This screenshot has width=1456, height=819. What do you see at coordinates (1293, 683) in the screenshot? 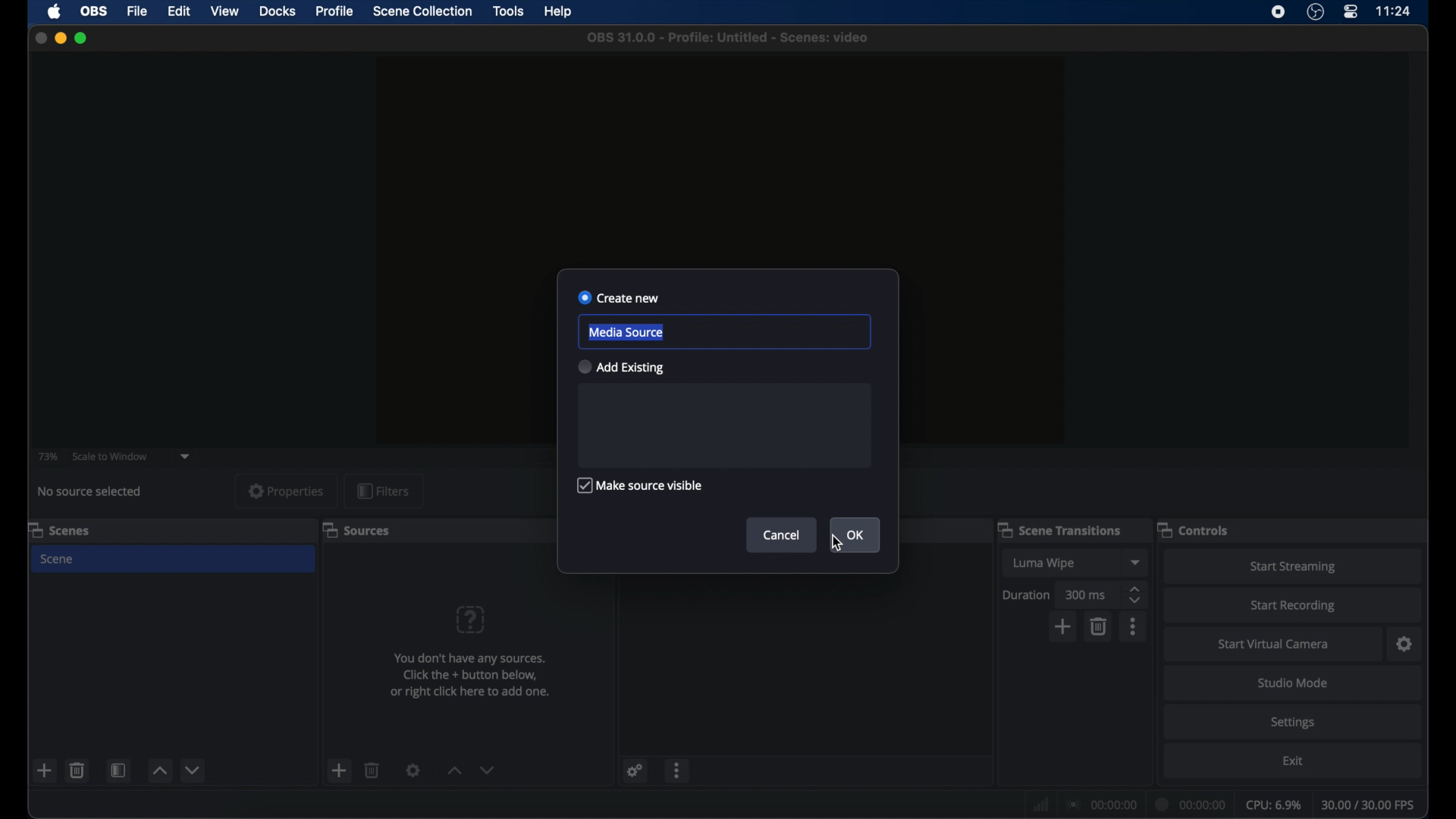
I see `studio mode` at bounding box center [1293, 683].